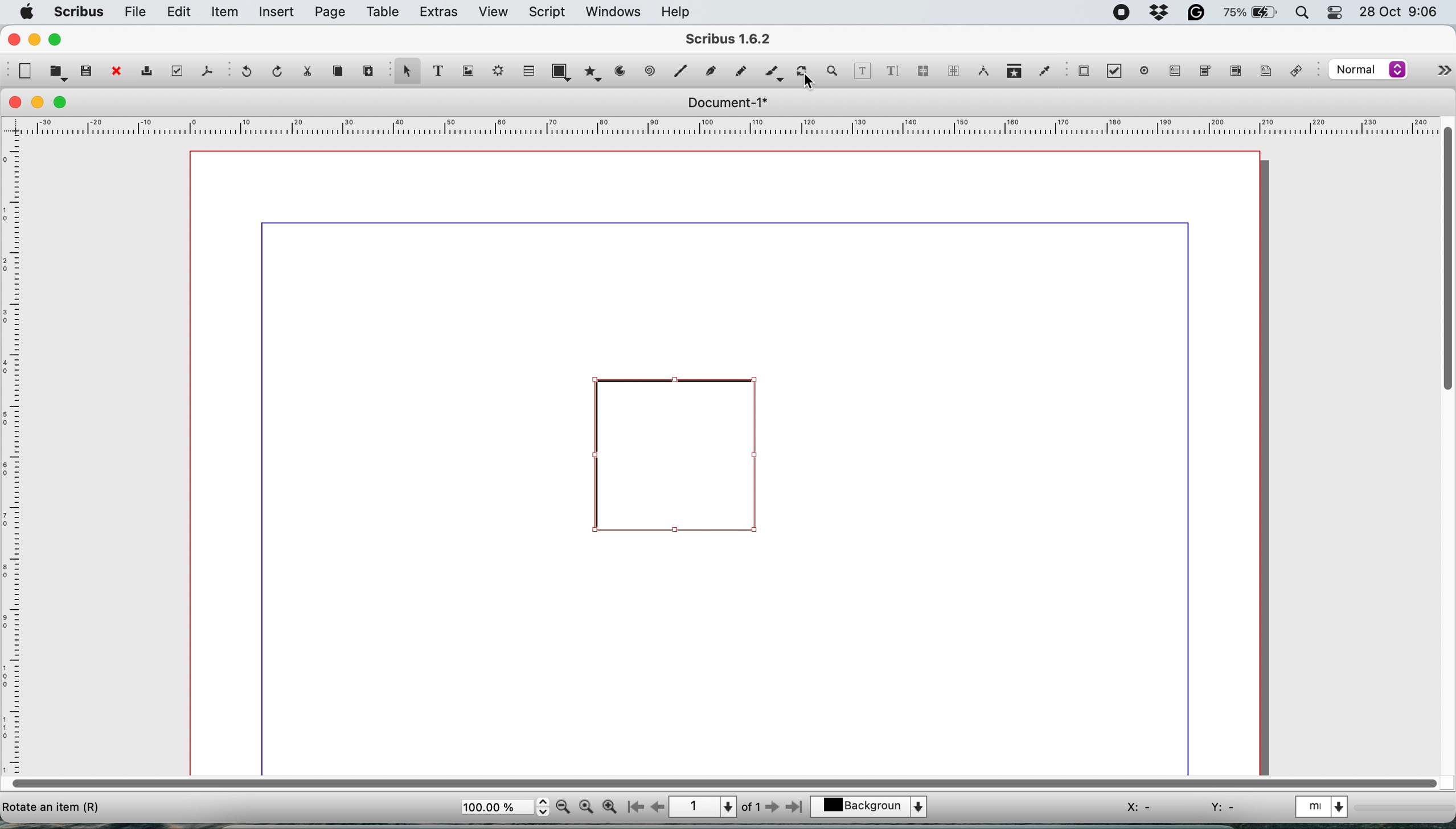  What do you see at coordinates (683, 72) in the screenshot?
I see `spiral` at bounding box center [683, 72].